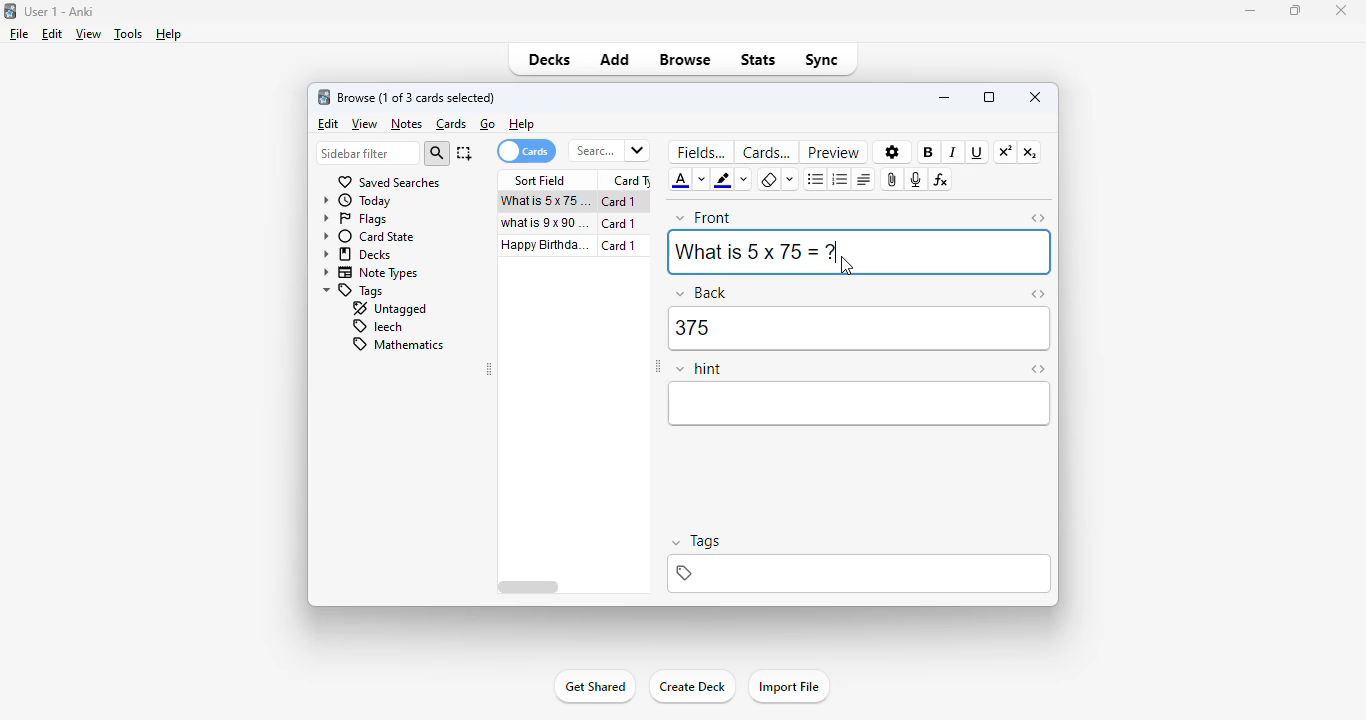 This screenshot has width=1366, height=720. I want to click on User 1 - Anki, so click(60, 11).